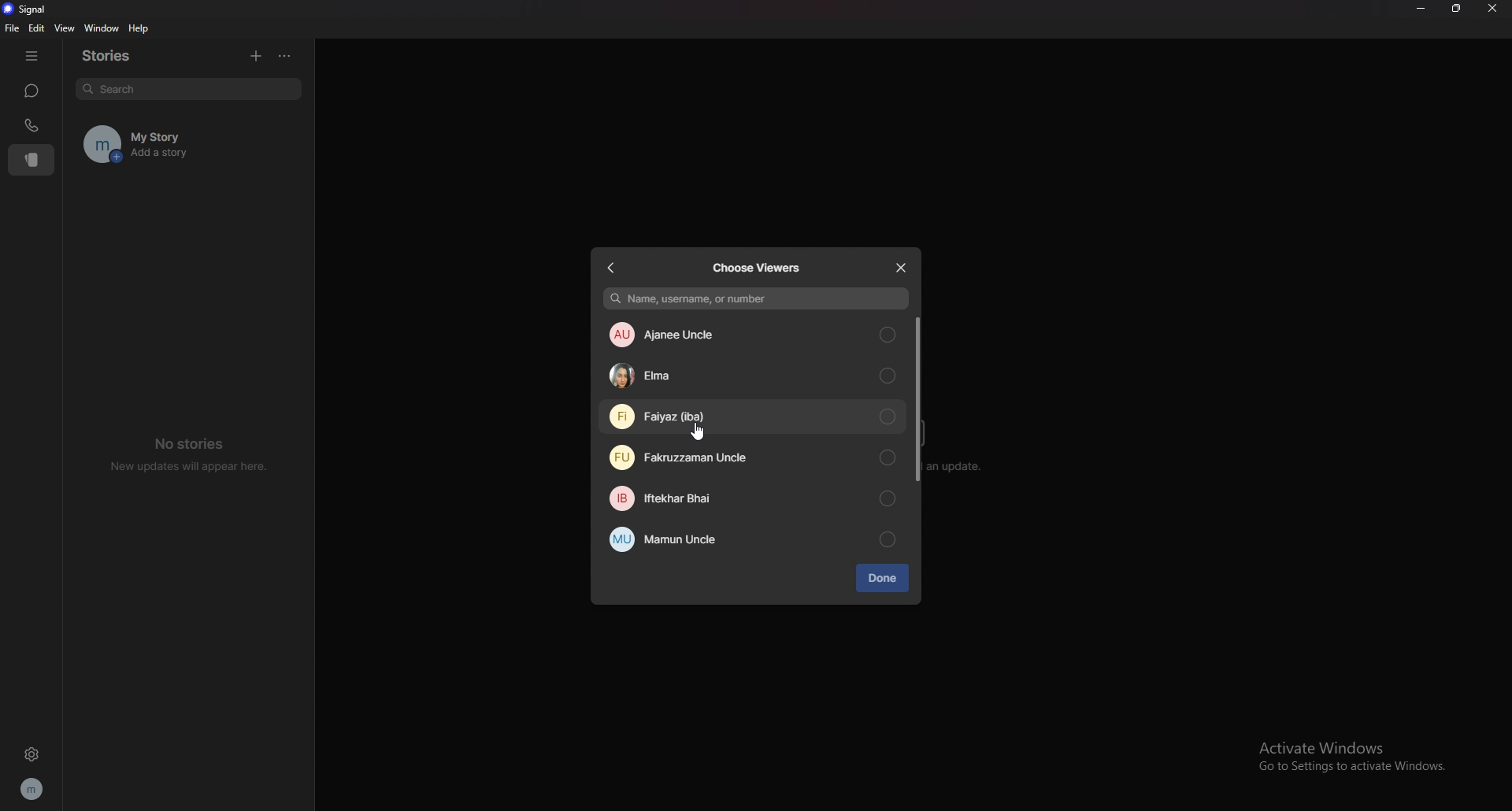 This screenshot has height=811, width=1512. Describe the element at coordinates (65, 28) in the screenshot. I see `view` at that location.